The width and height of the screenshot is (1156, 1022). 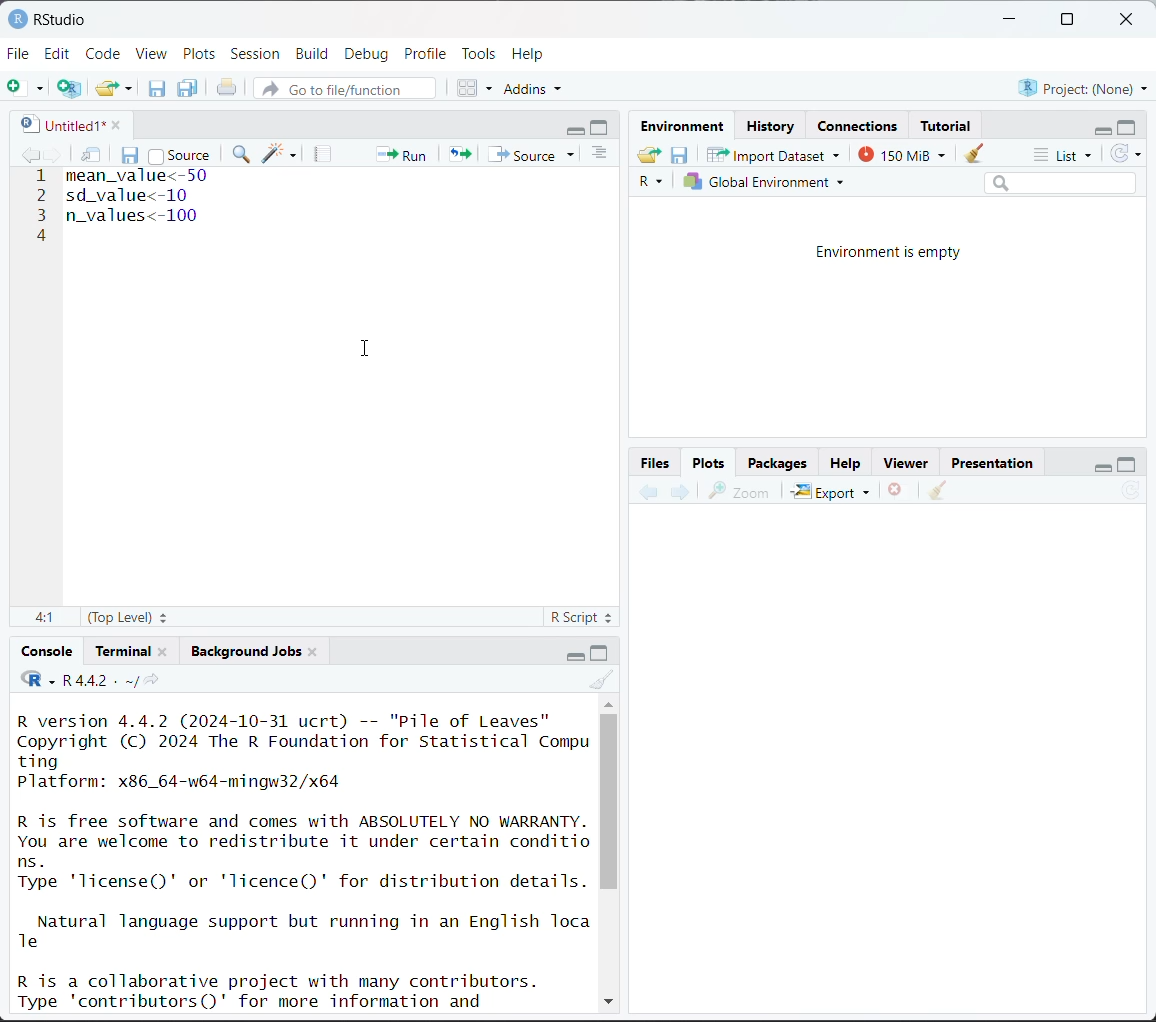 What do you see at coordinates (1126, 154) in the screenshot?
I see `refresh the list` at bounding box center [1126, 154].